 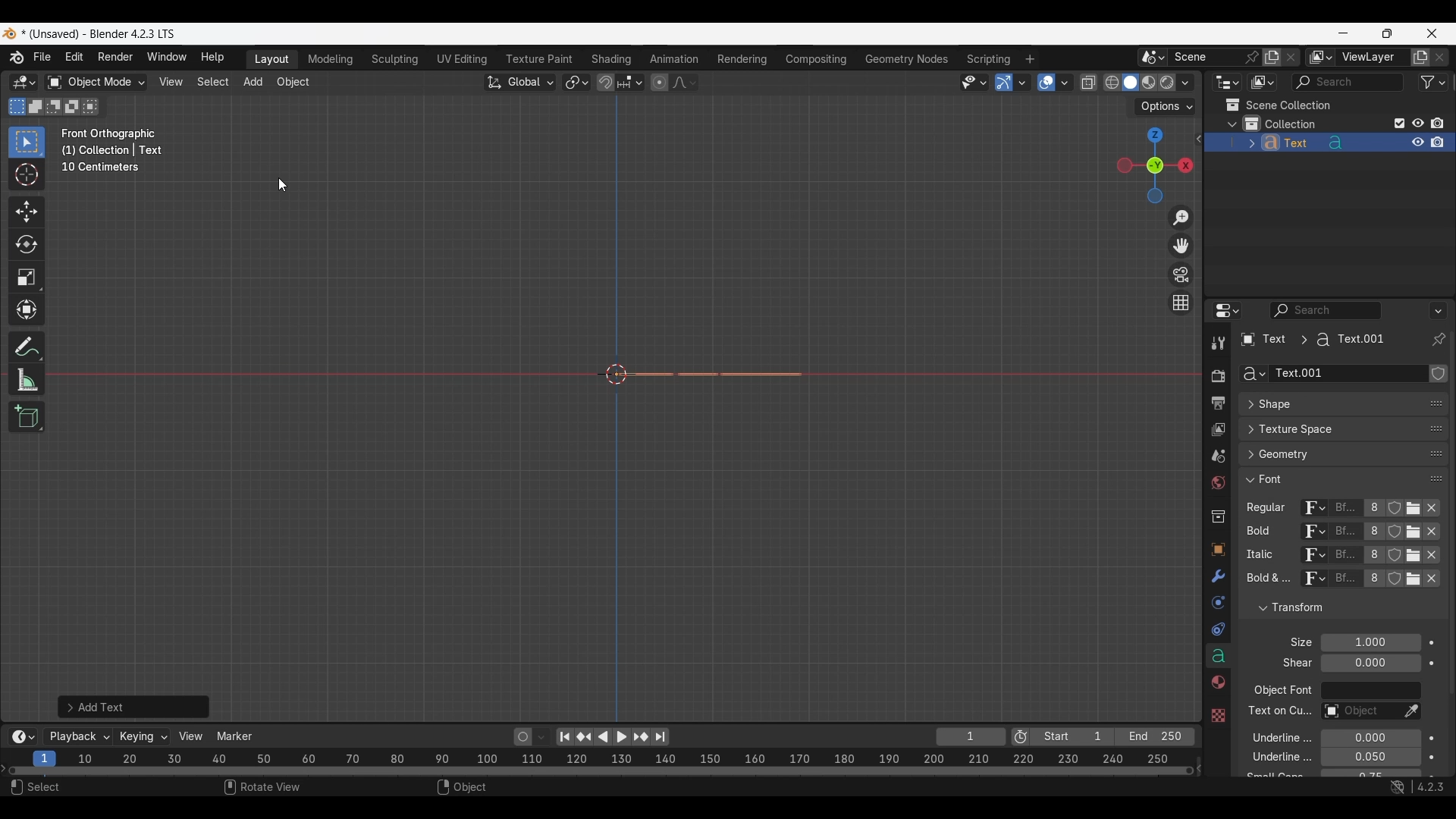 I want to click on Click to expand Geometry, so click(x=1328, y=454).